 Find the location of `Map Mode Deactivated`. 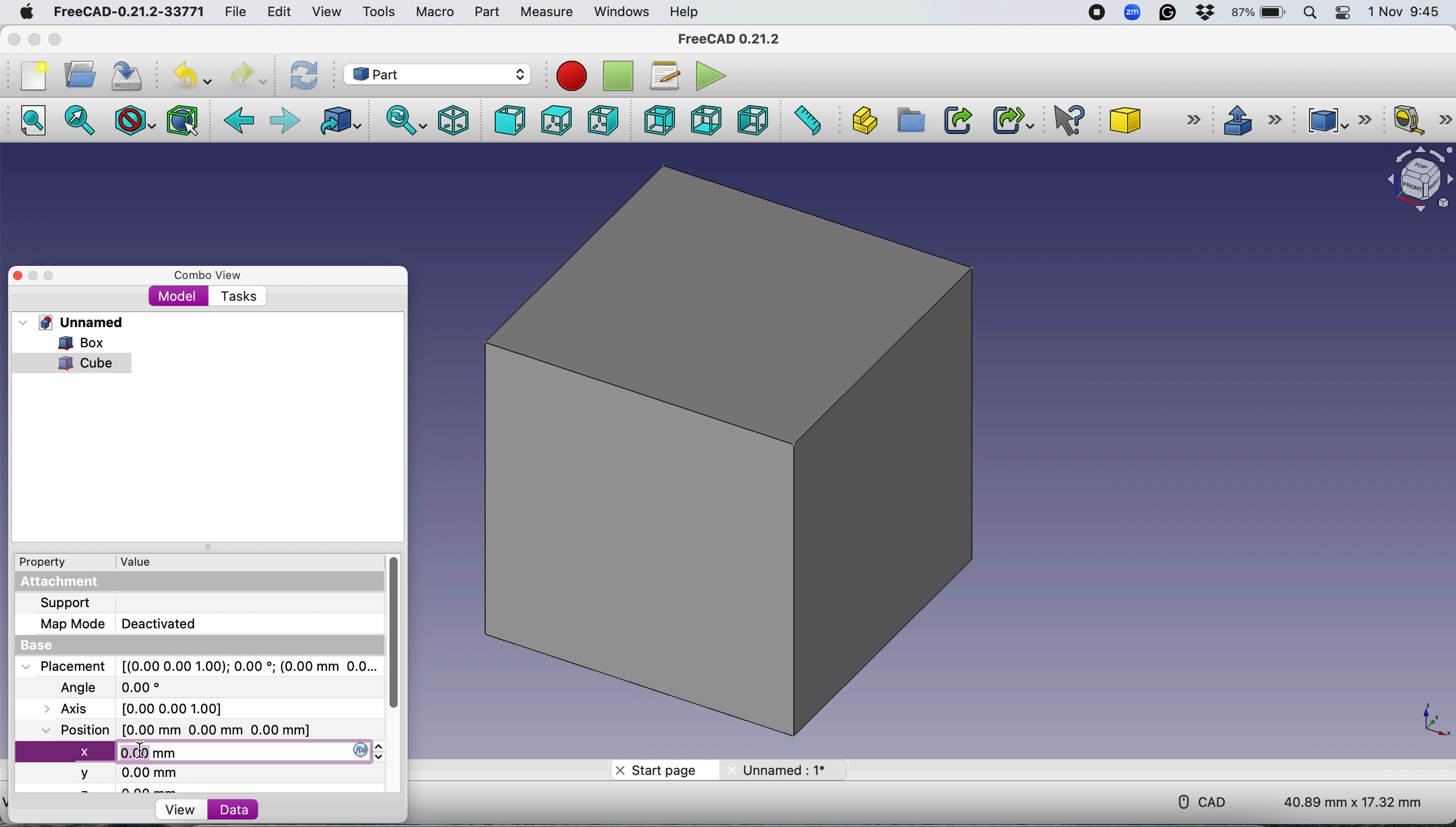

Map Mode Deactivated is located at coordinates (118, 624).